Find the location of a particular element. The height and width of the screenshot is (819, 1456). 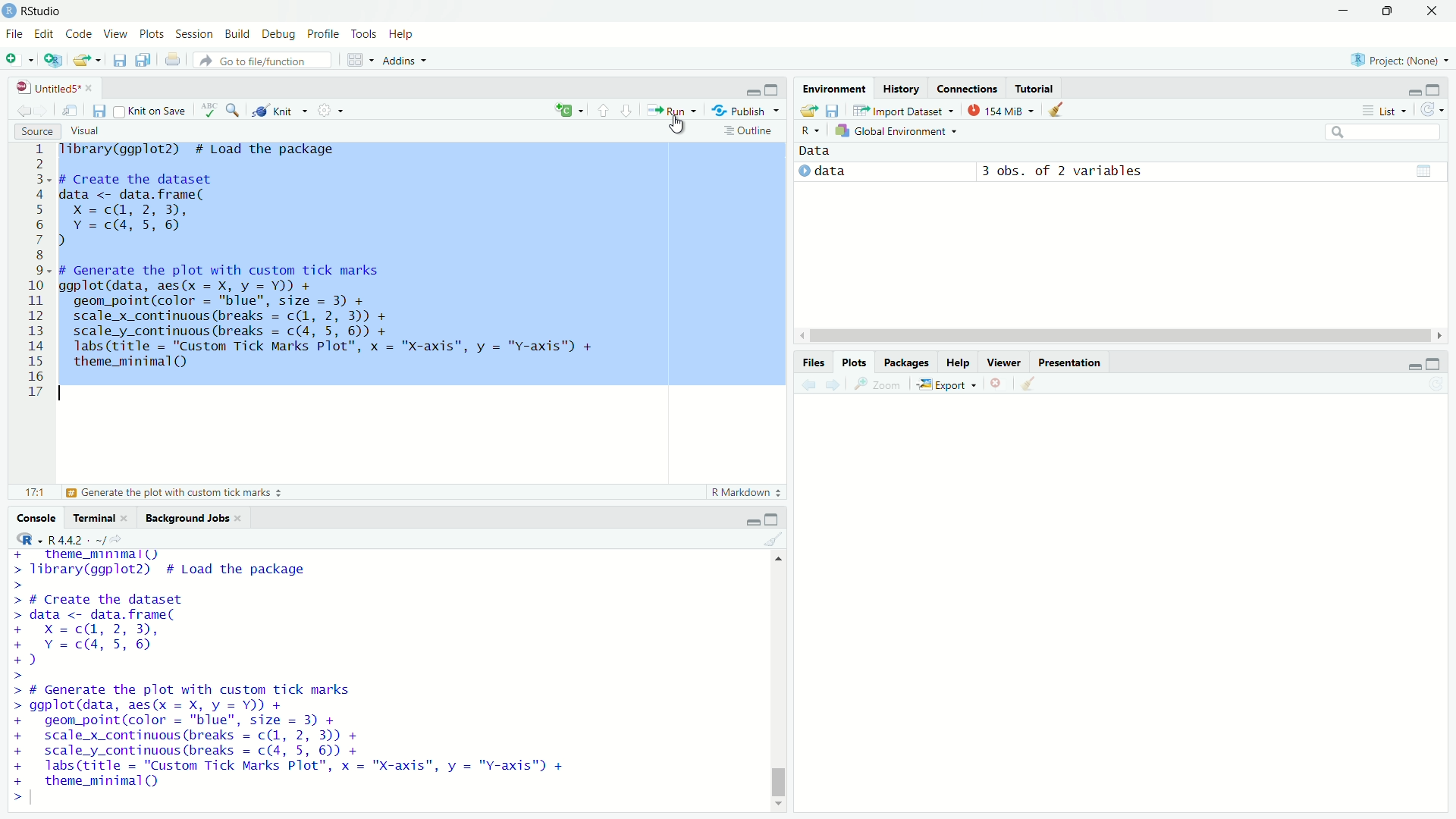

R 4.4.2 . ~/ is located at coordinates (79, 539).